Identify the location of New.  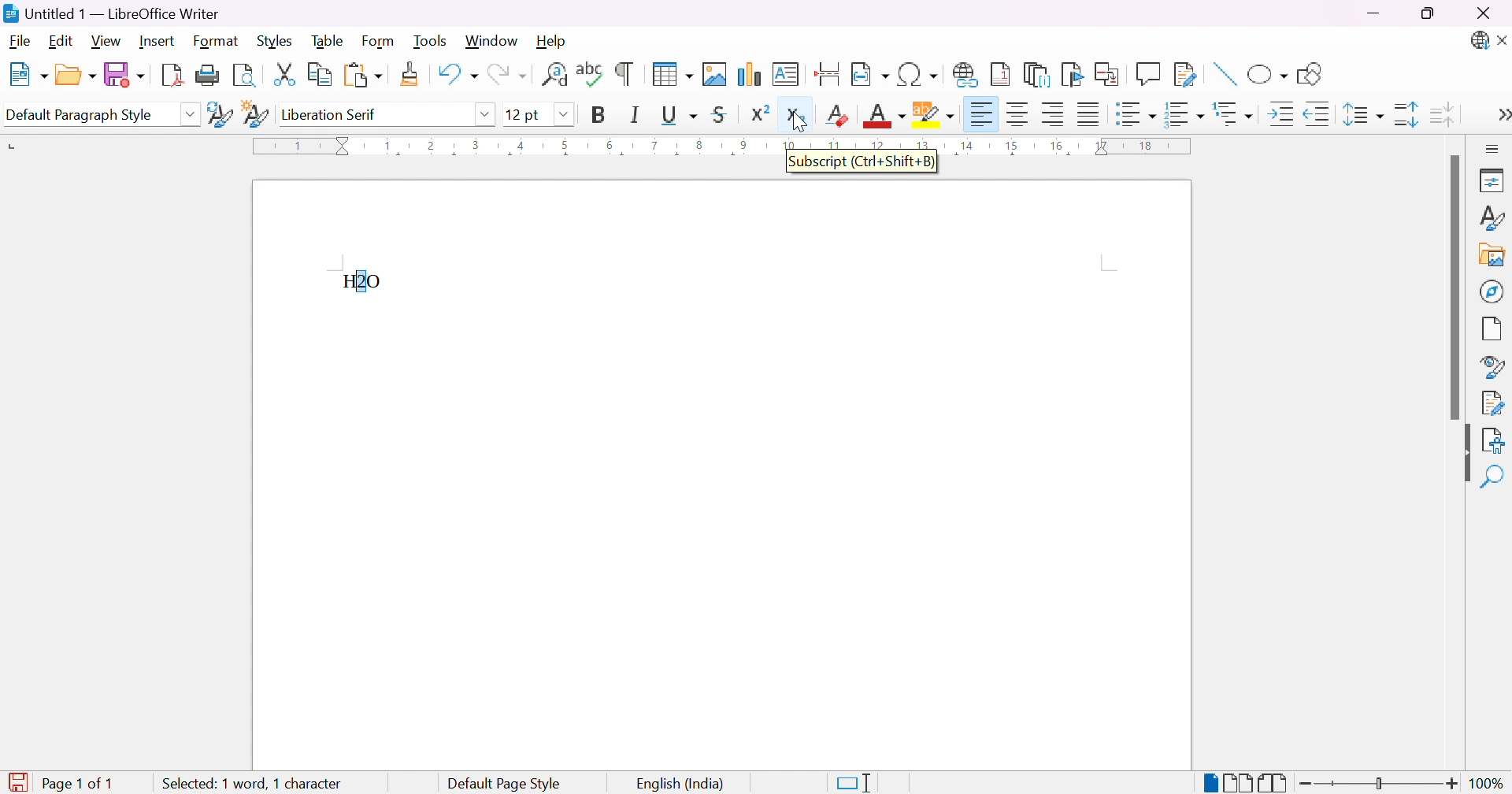
(27, 76).